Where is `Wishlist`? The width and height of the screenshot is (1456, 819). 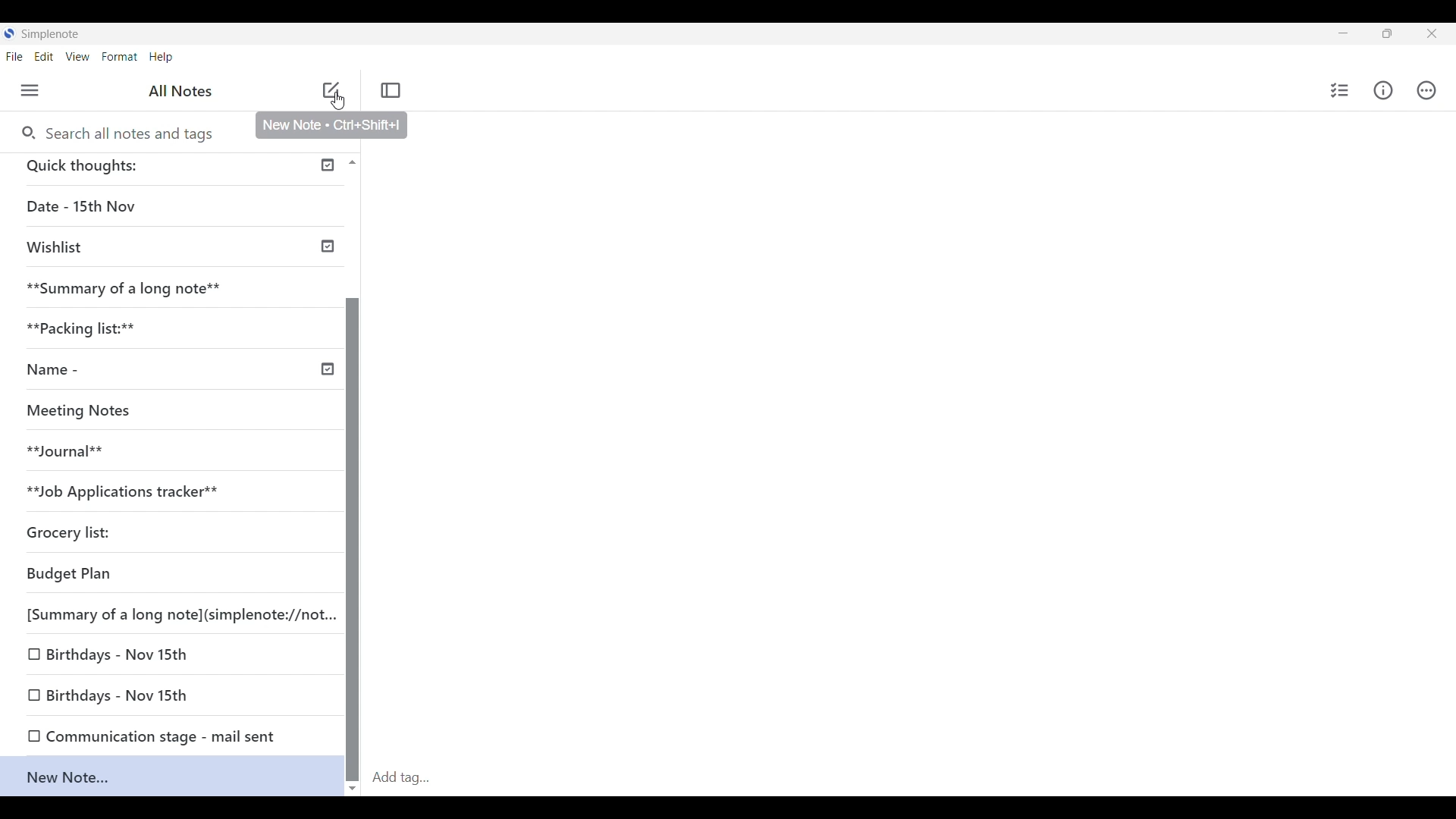
Wishlist is located at coordinates (176, 247).